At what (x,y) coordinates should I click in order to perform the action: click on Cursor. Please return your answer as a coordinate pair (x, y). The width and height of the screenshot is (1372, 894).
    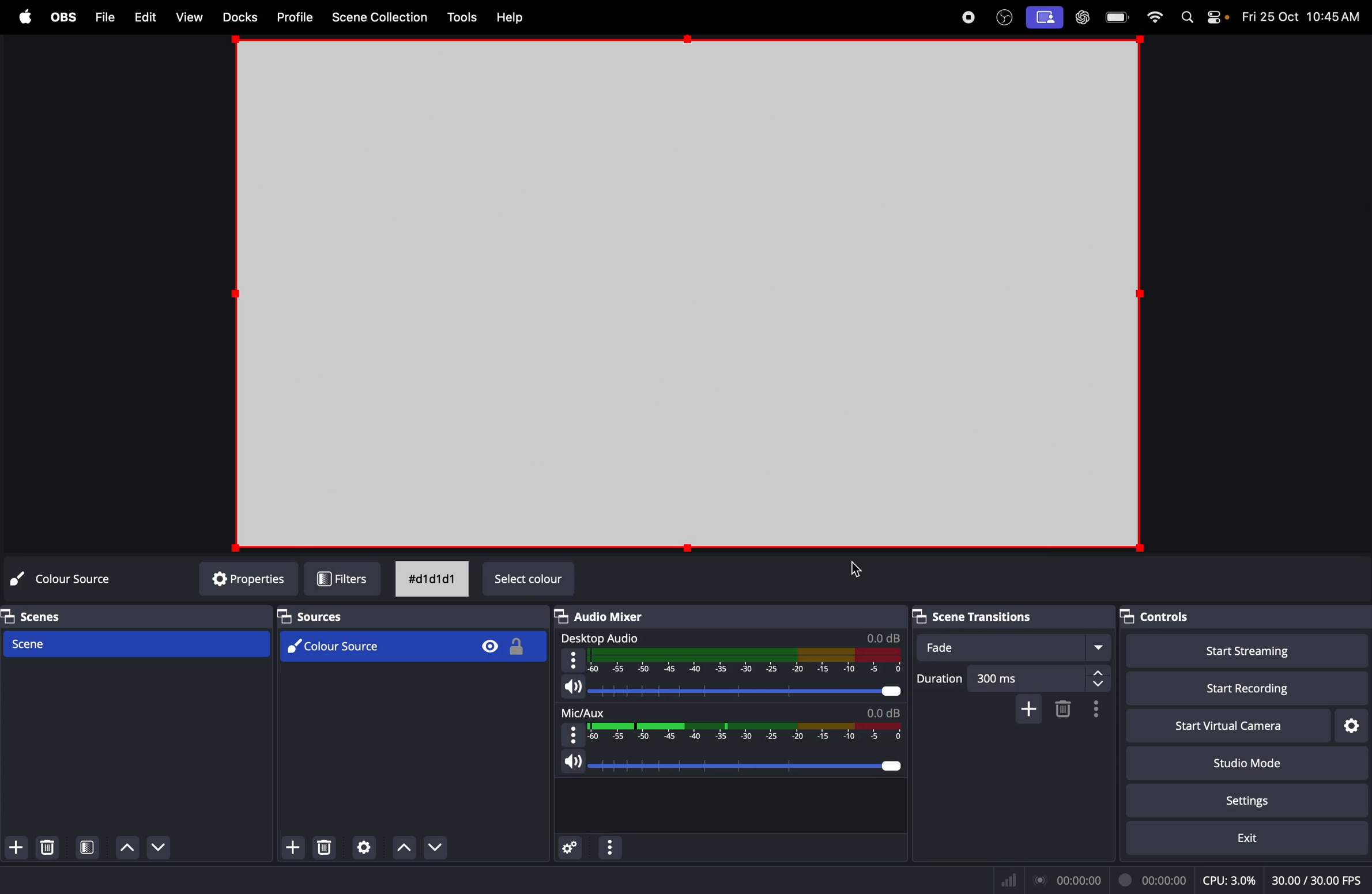
    Looking at the image, I should click on (855, 569).